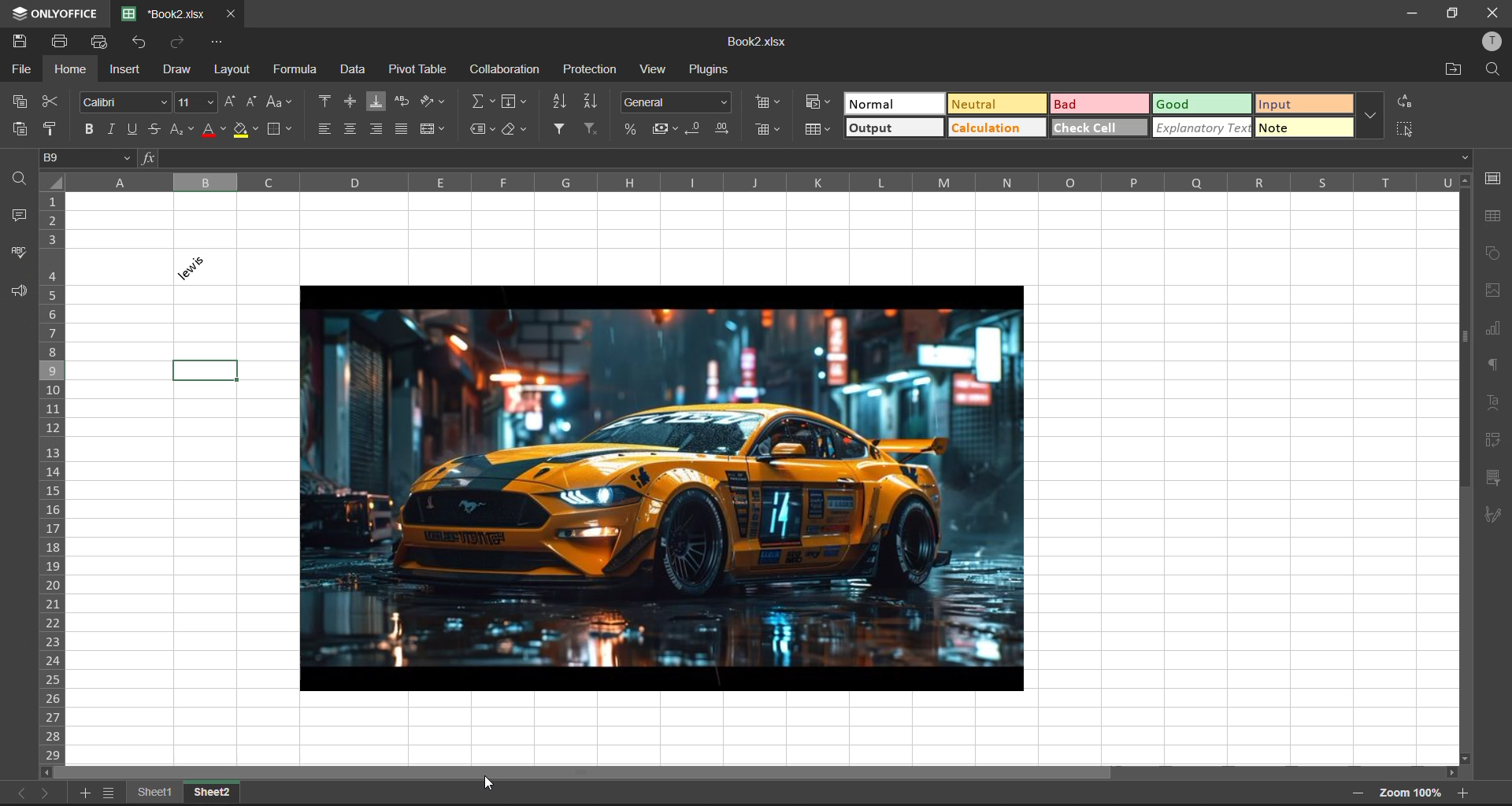 The width and height of the screenshot is (1512, 806). What do you see at coordinates (1493, 12) in the screenshot?
I see `close` at bounding box center [1493, 12].